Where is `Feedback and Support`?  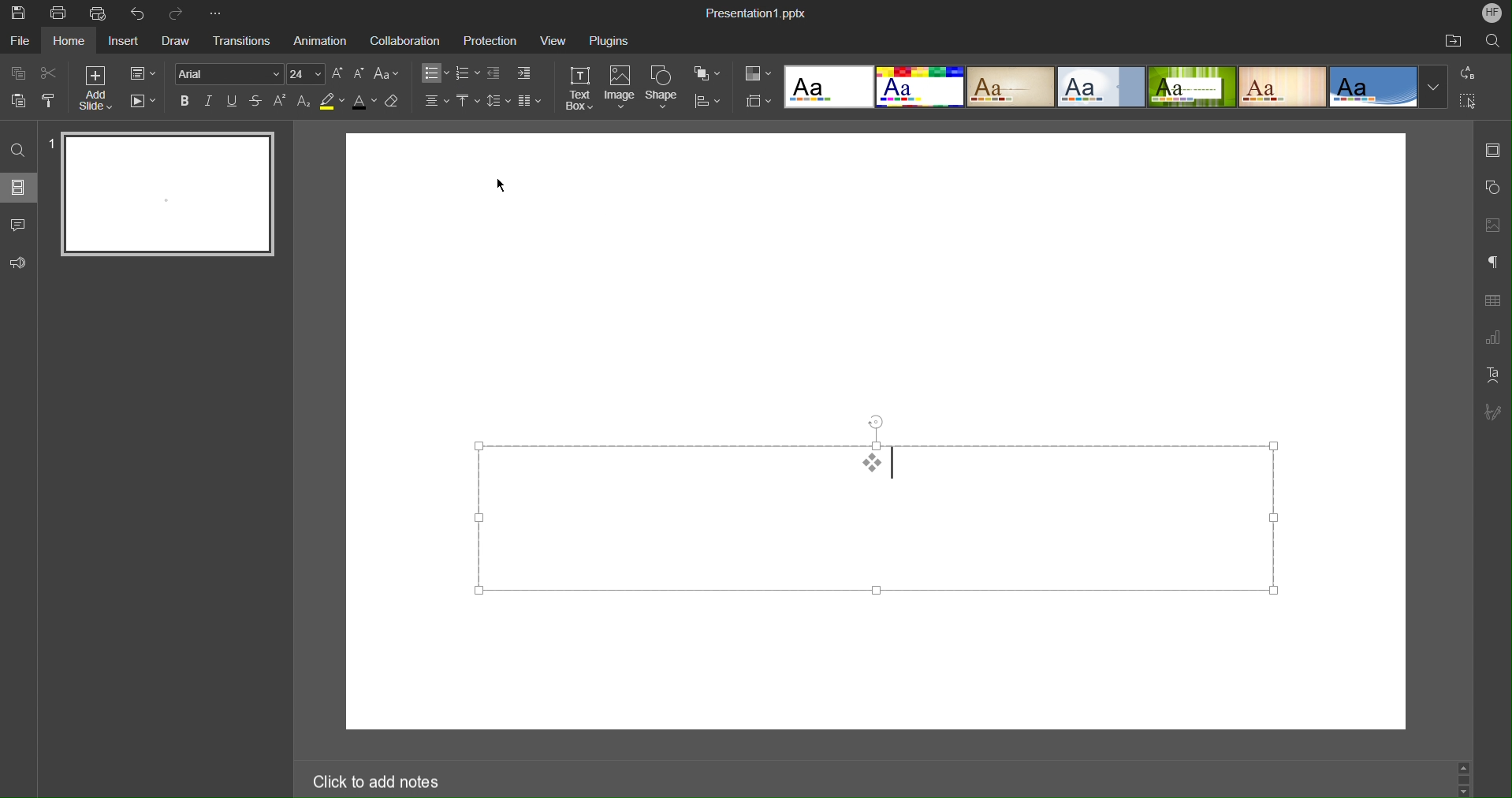
Feedback and Support is located at coordinates (17, 264).